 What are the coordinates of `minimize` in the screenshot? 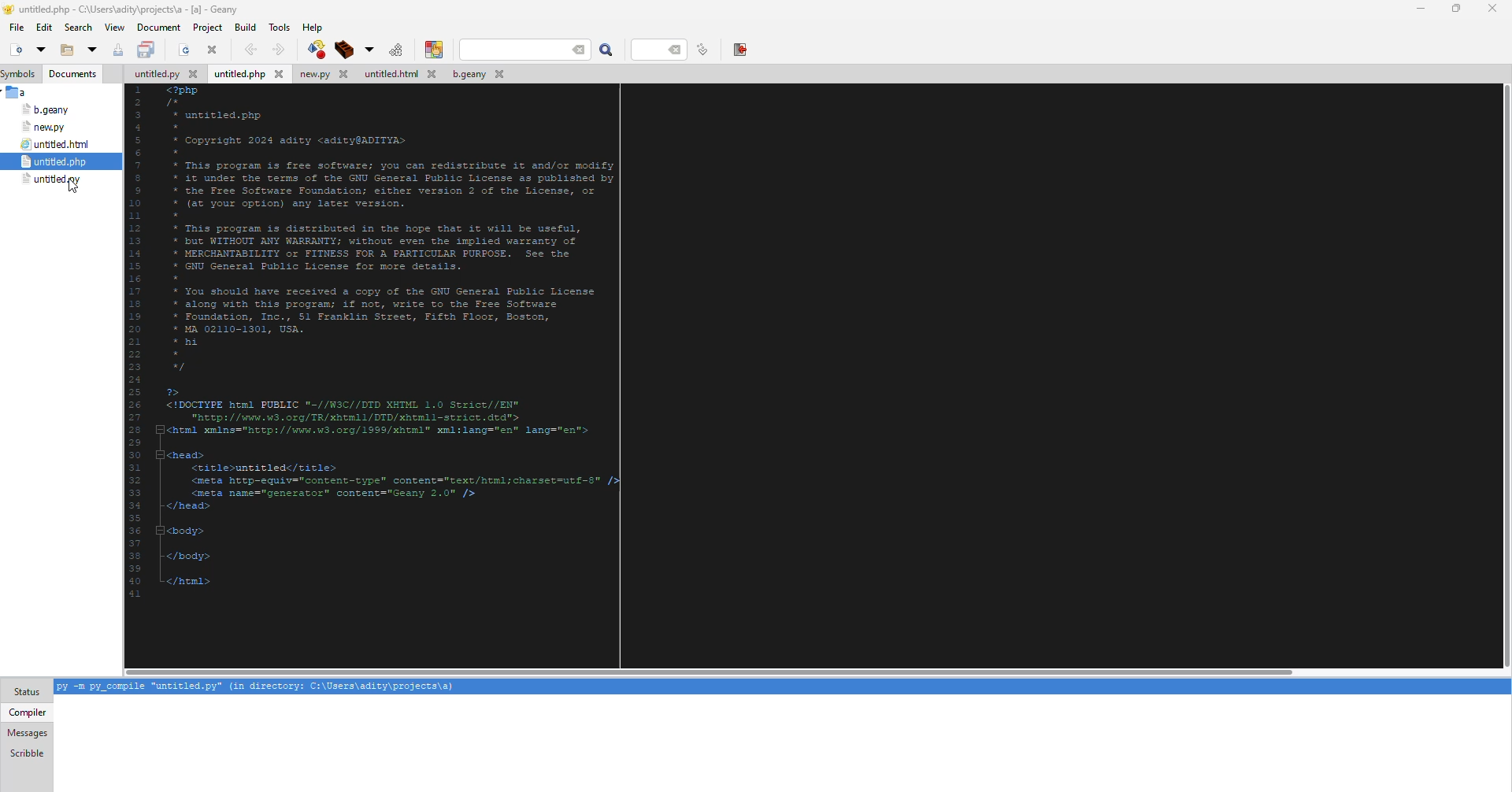 It's located at (1418, 7).